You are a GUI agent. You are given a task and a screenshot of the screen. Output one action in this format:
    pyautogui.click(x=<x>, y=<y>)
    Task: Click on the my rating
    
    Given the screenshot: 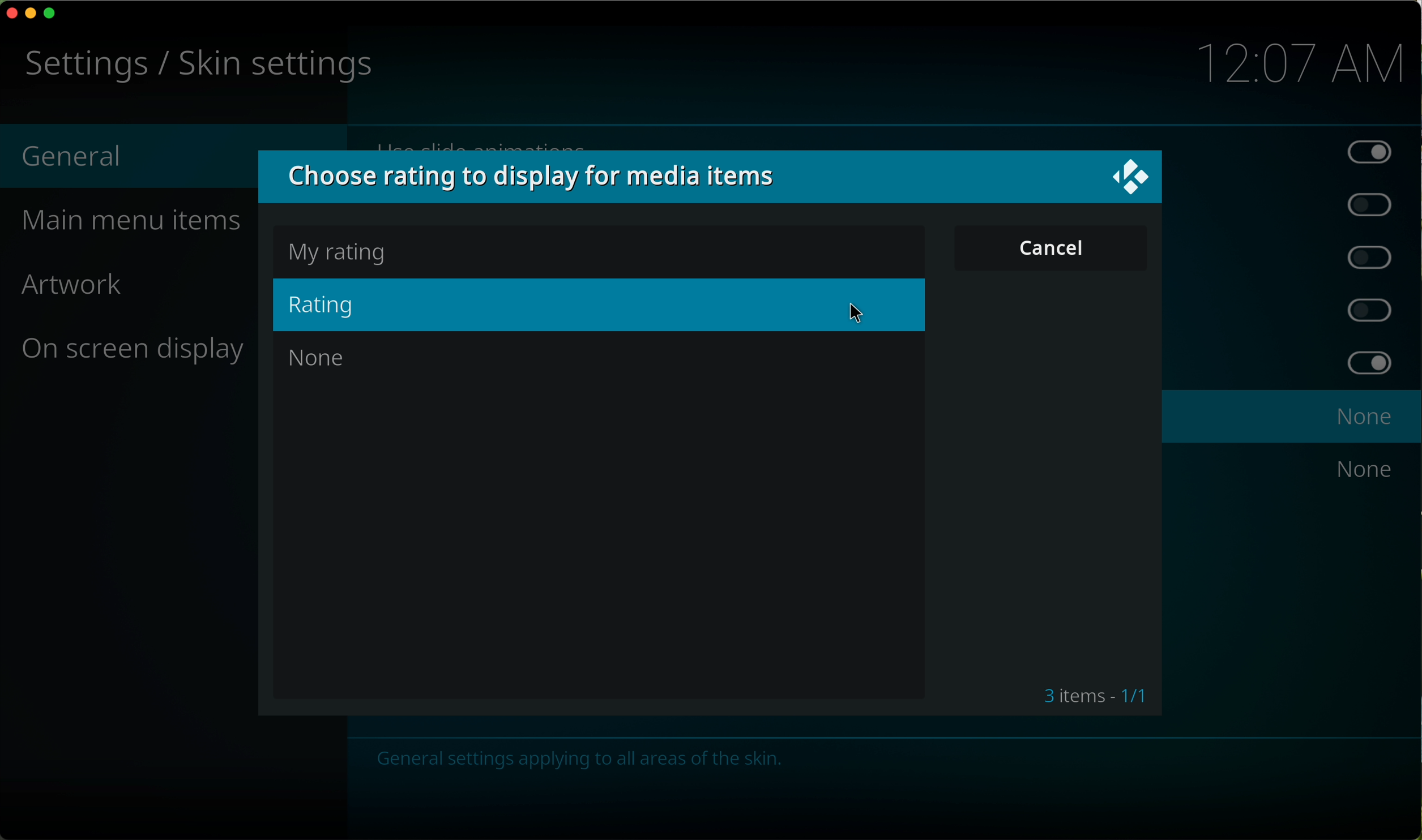 What is the action you would take?
    pyautogui.click(x=341, y=250)
    